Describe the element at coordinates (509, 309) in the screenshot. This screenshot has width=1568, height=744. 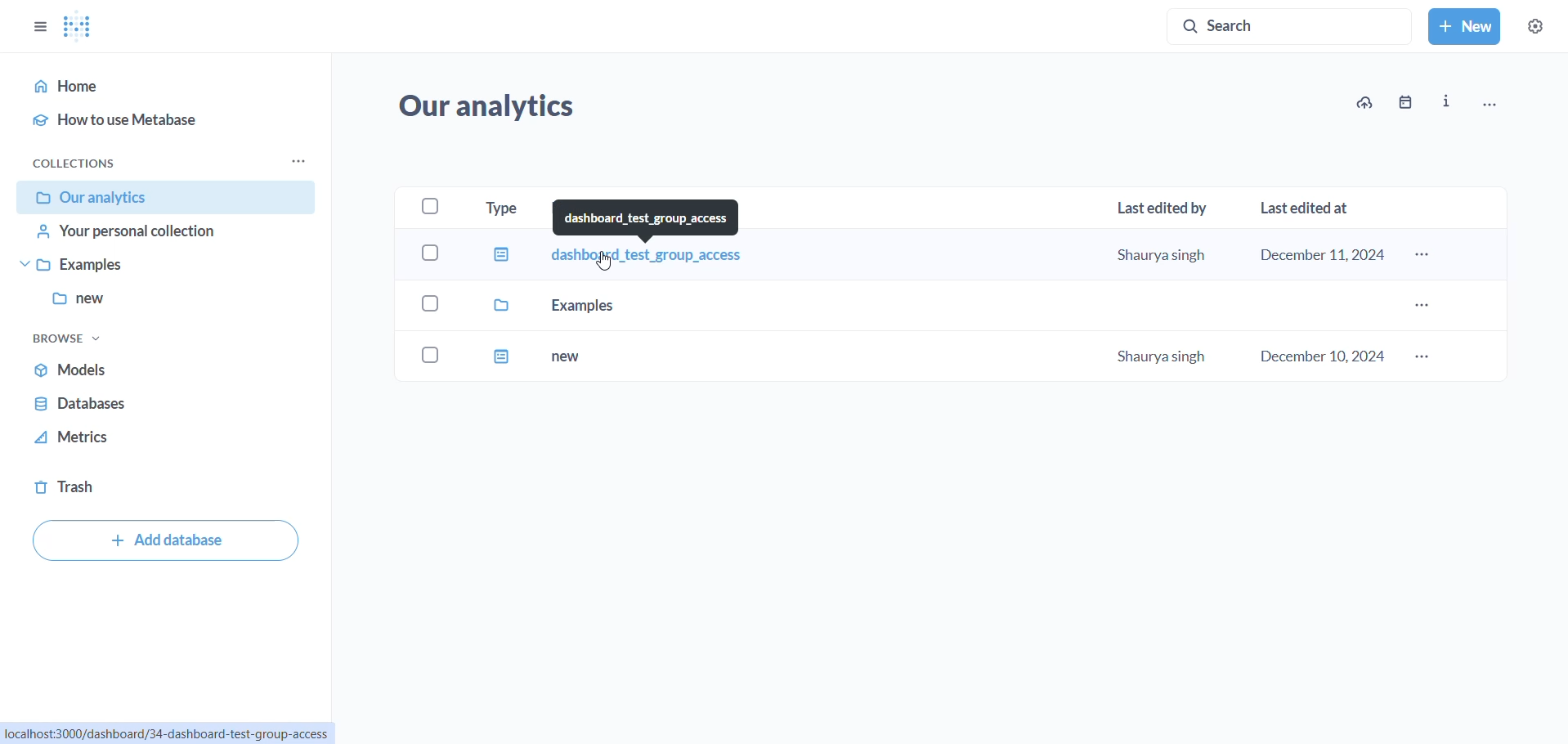
I see `type values` at that location.